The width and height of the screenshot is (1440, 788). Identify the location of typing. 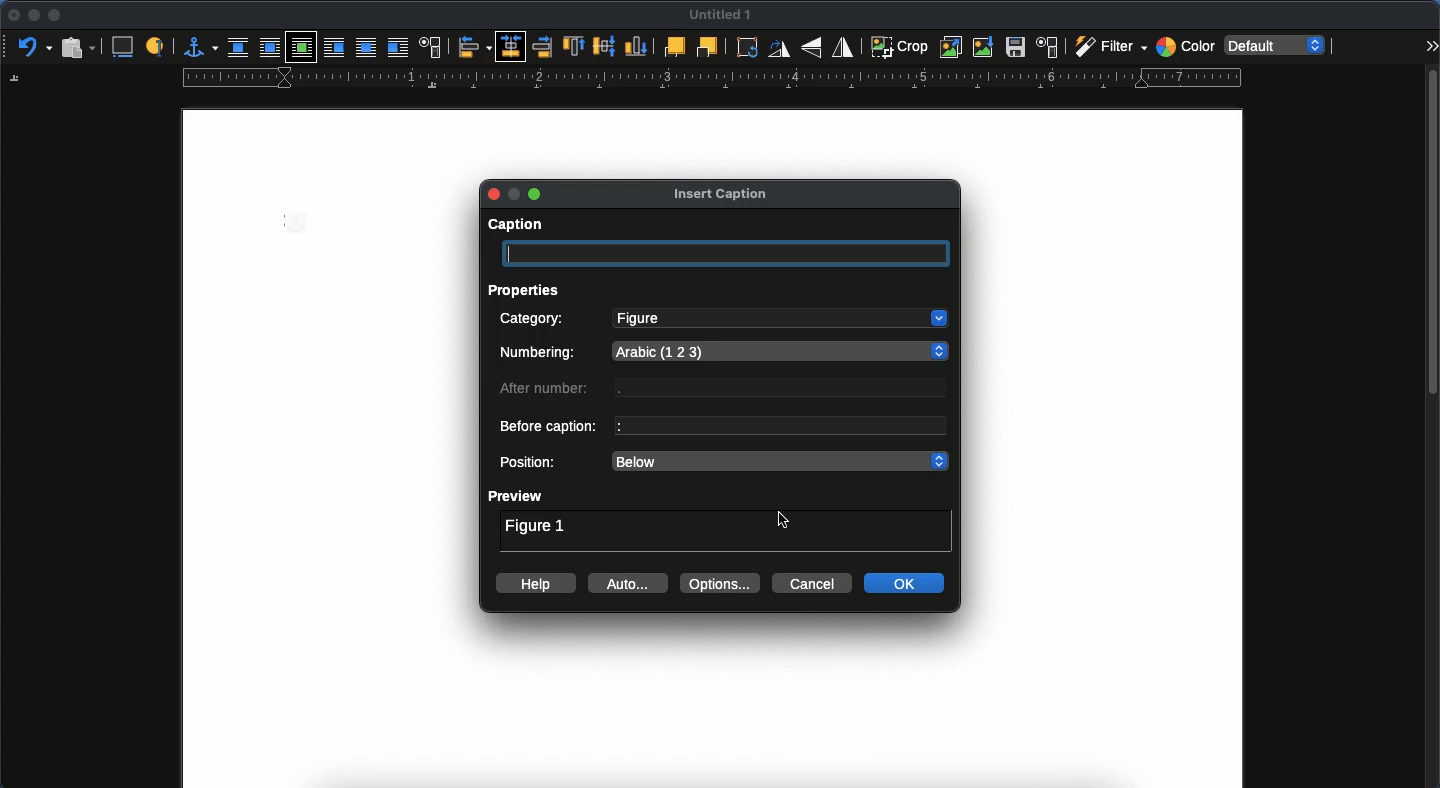
(729, 255).